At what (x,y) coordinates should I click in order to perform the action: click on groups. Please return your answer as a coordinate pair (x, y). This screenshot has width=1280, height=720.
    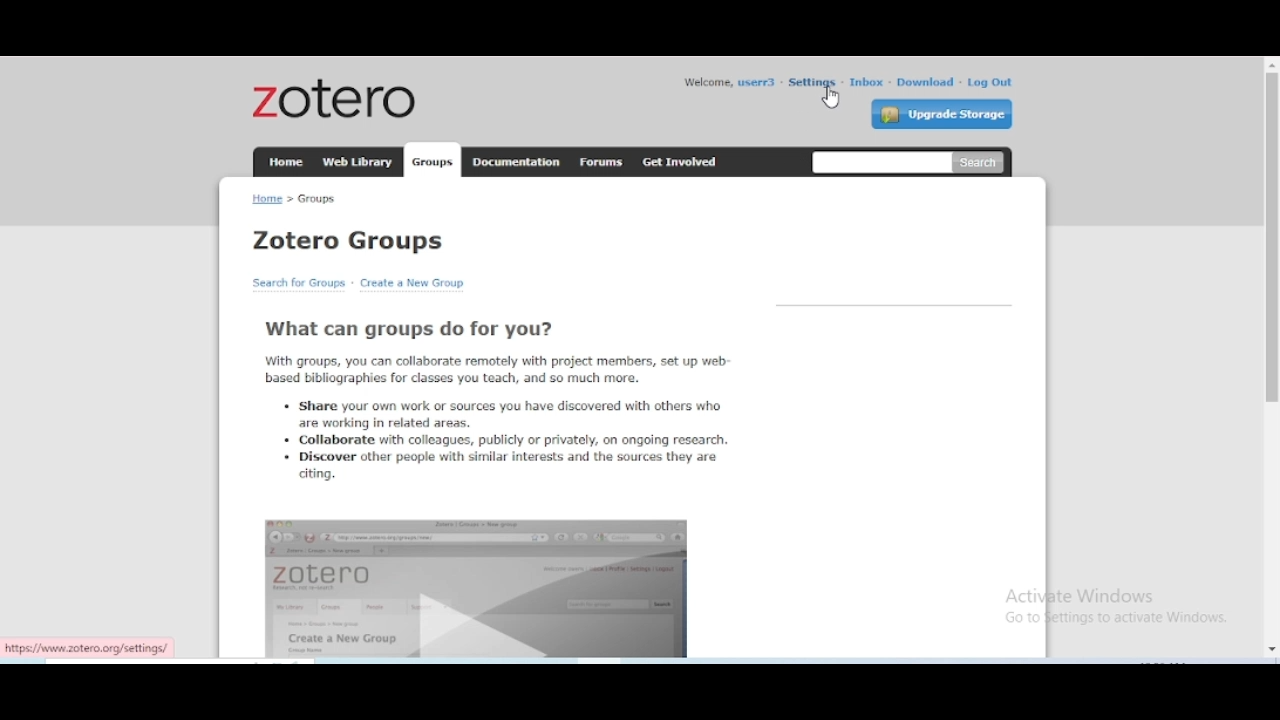
    Looking at the image, I should click on (316, 200).